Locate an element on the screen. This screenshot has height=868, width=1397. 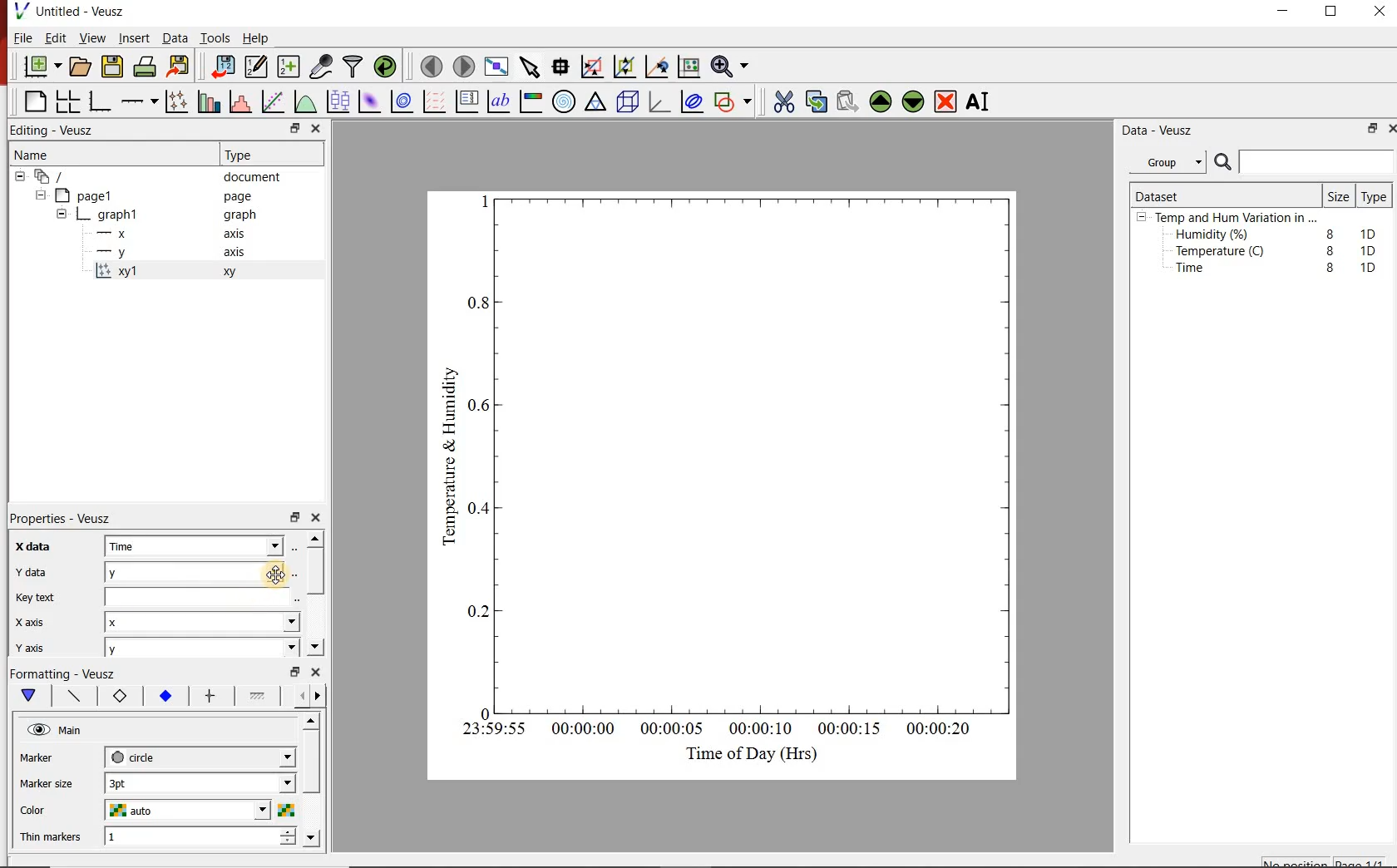
minimize is located at coordinates (1289, 12).